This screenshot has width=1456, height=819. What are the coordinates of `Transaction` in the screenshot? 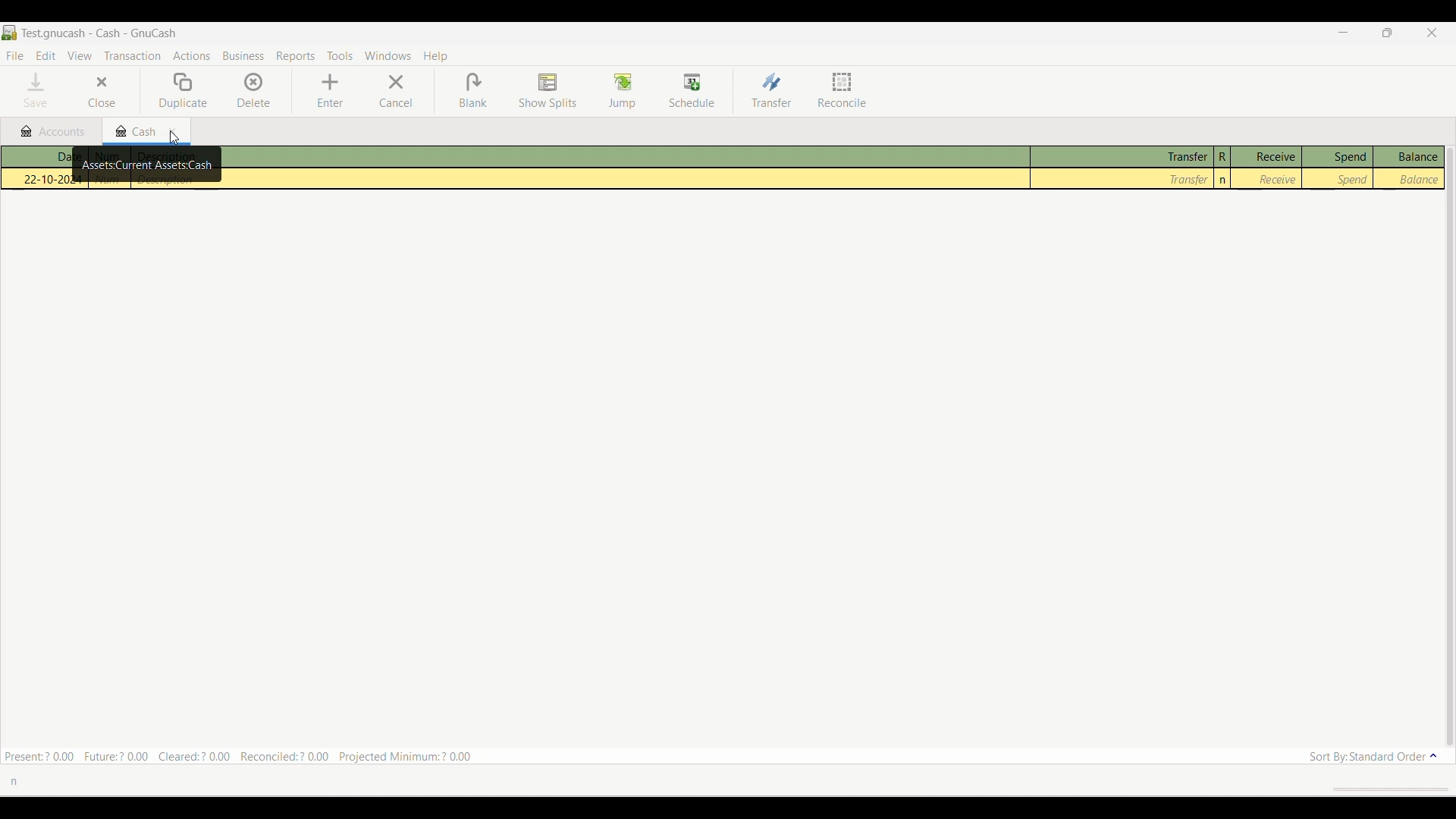 It's located at (132, 56).